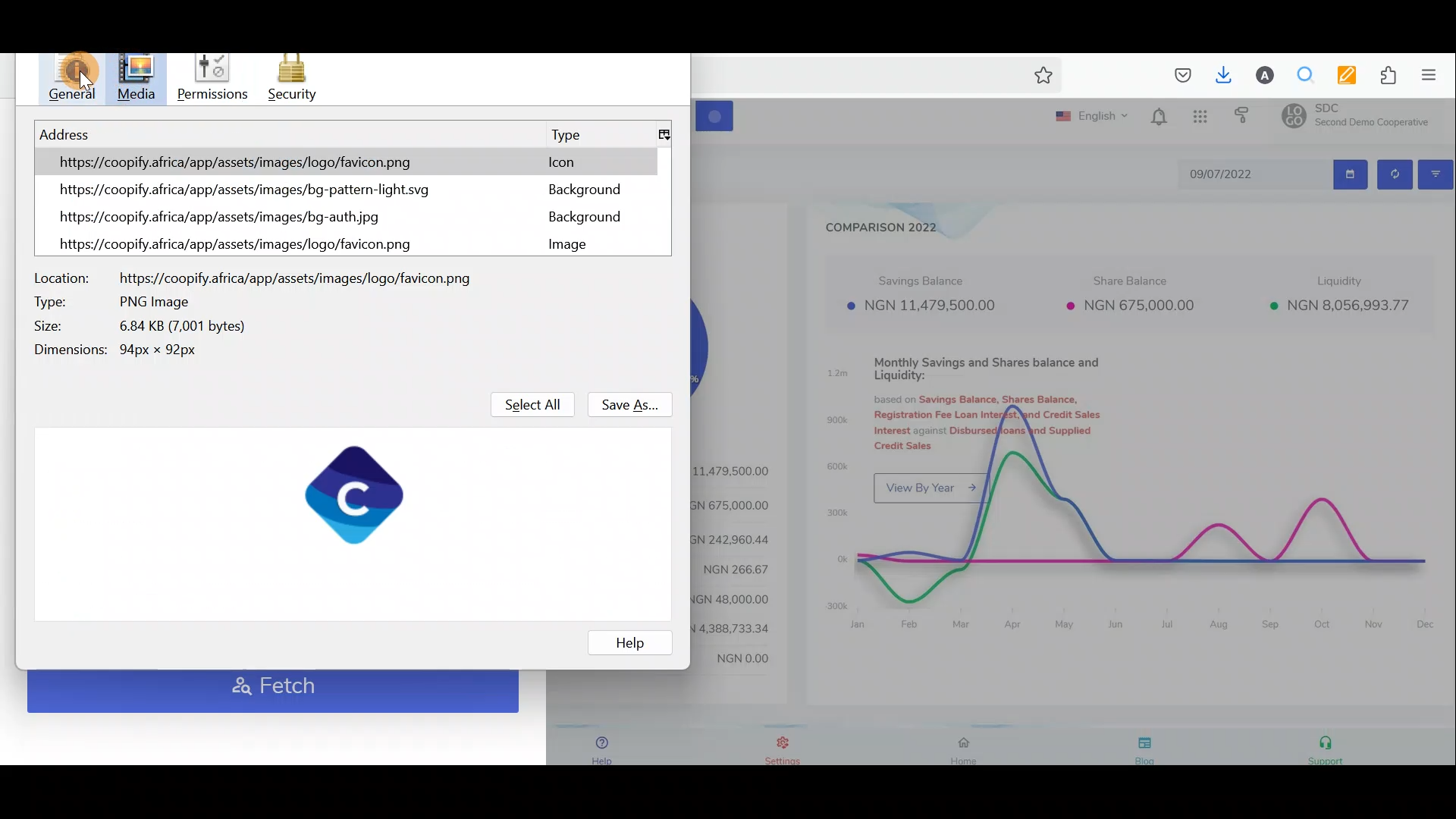 This screenshot has width=1456, height=819. What do you see at coordinates (113, 302) in the screenshot?
I see `Type` at bounding box center [113, 302].